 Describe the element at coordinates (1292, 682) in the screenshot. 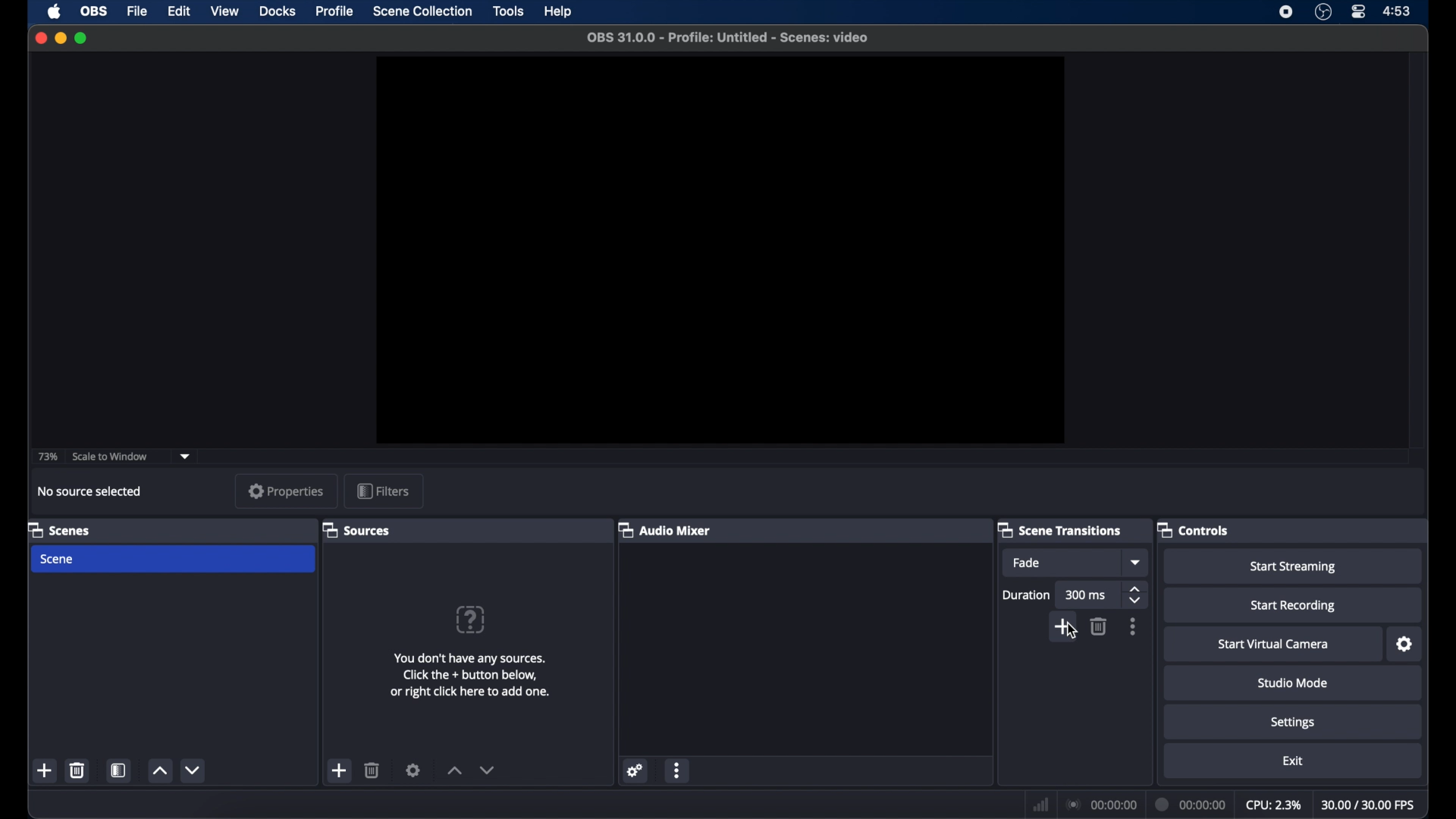

I see `studio mode` at that location.